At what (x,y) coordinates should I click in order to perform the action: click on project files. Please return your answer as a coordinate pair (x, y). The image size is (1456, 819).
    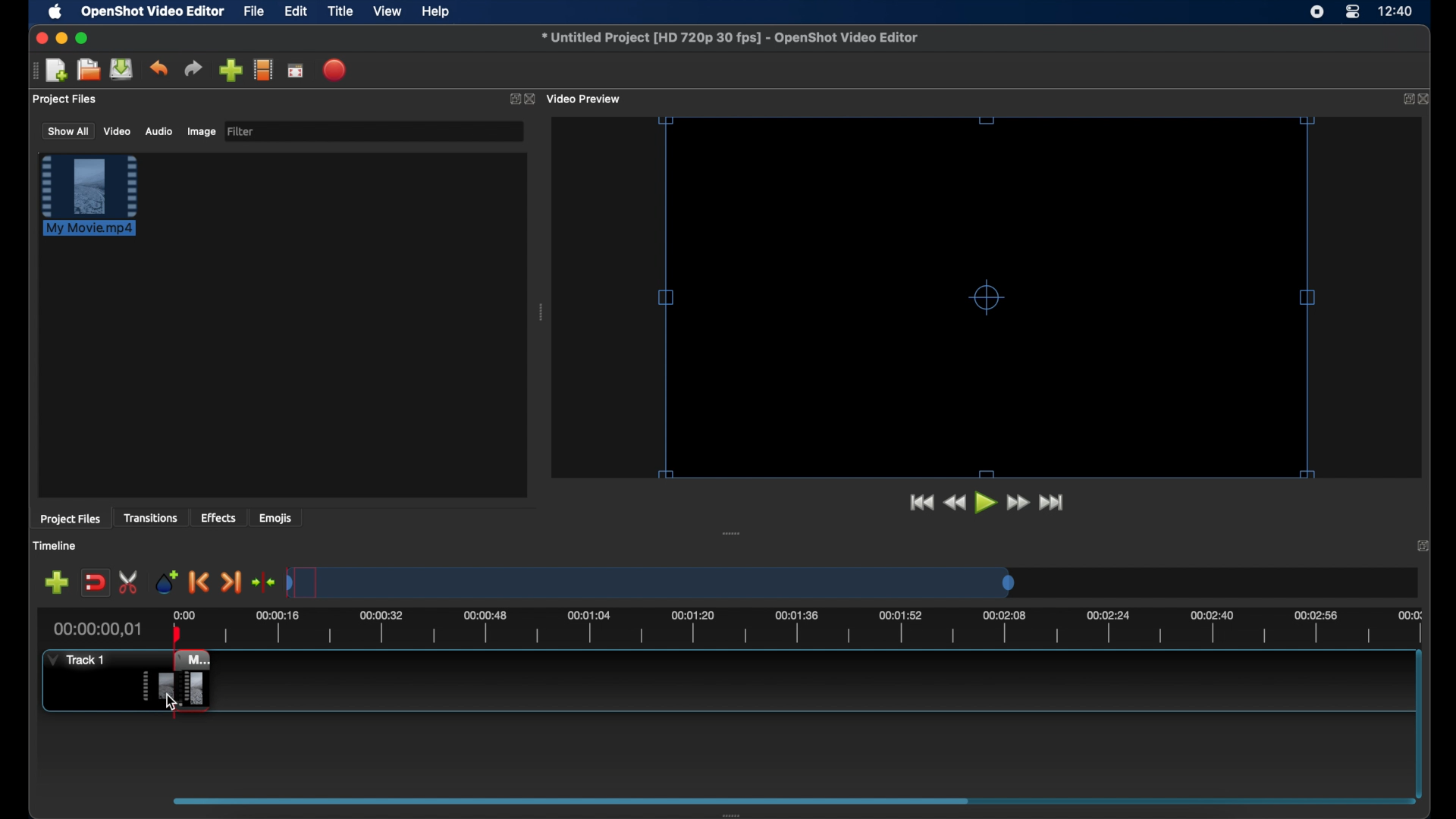
    Looking at the image, I should click on (65, 99).